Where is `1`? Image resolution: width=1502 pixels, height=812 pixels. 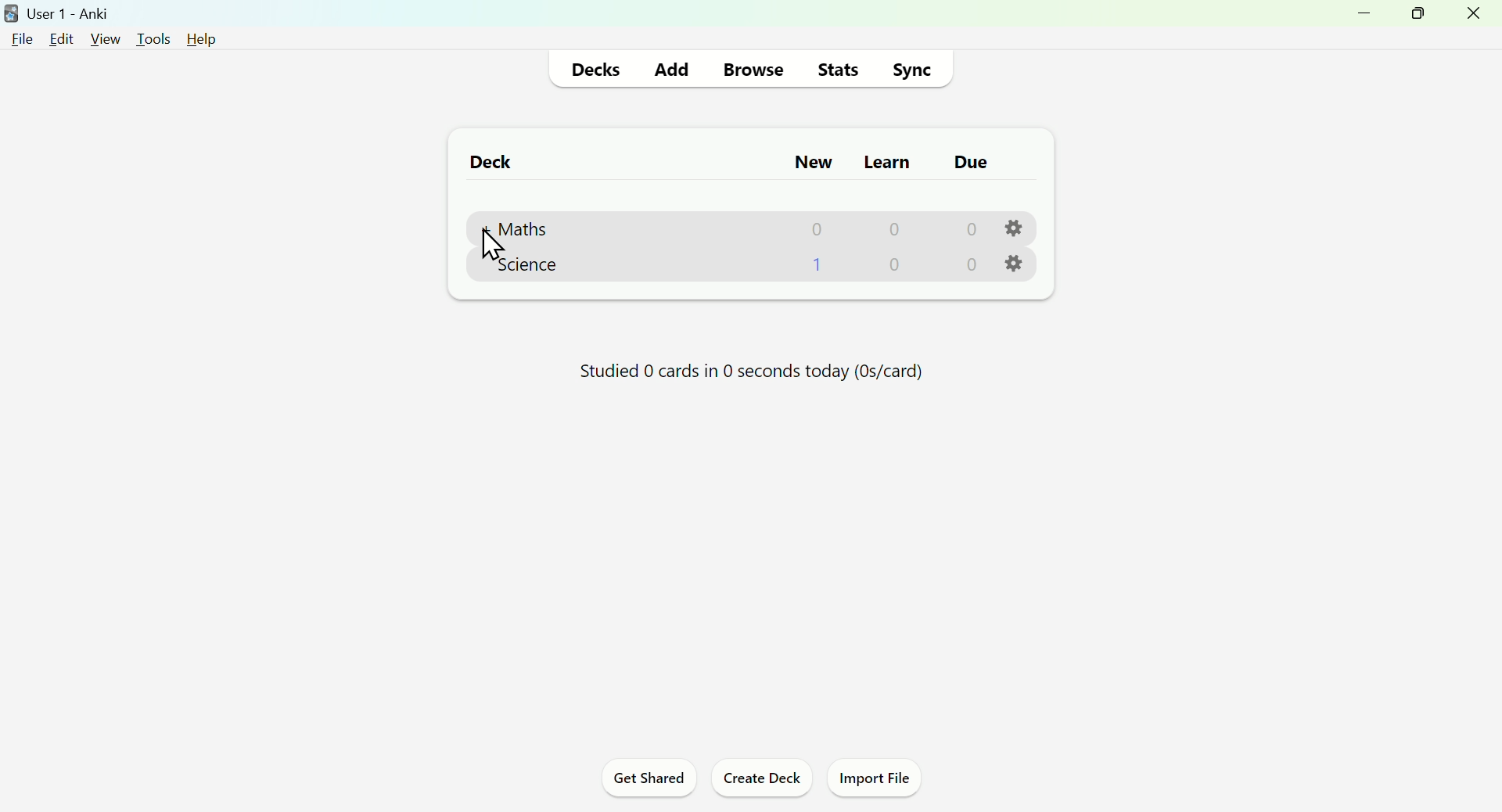
1 is located at coordinates (817, 264).